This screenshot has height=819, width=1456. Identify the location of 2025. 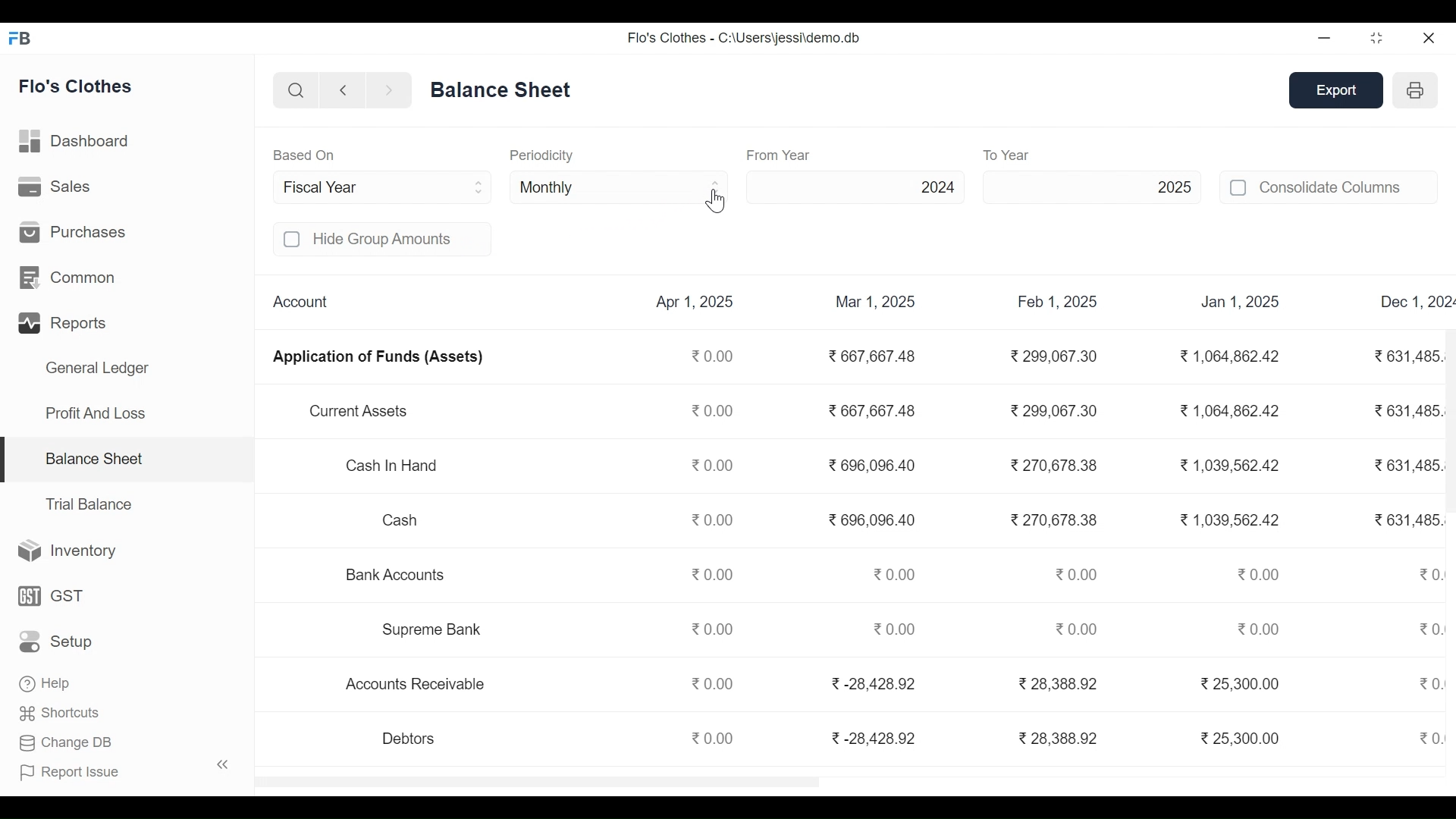
(1092, 186).